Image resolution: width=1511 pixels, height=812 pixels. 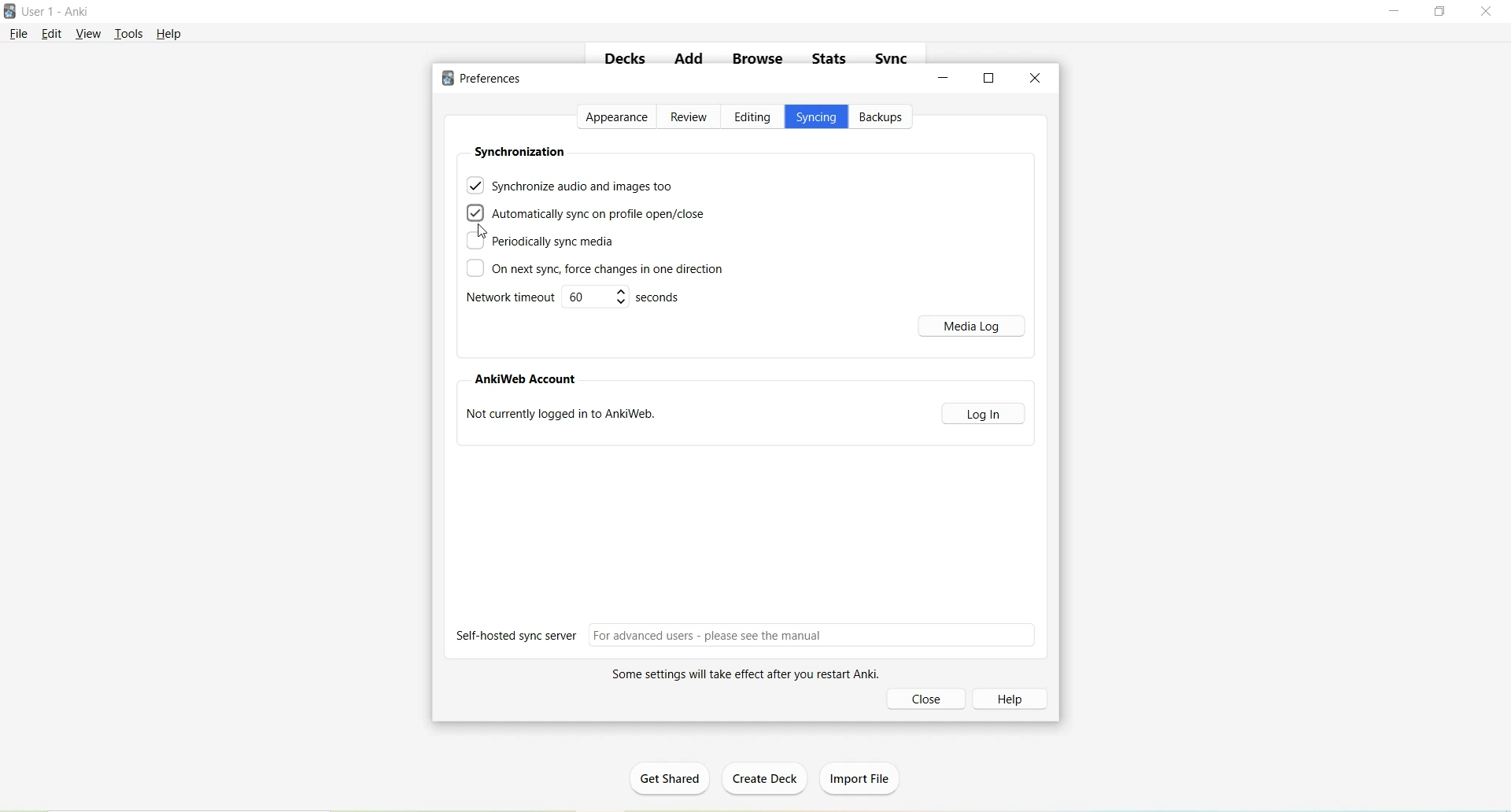 What do you see at coordinates (571, 184) in the screenshot?
I see `Synchronize audio and images too` at bounding box center [571, 184].